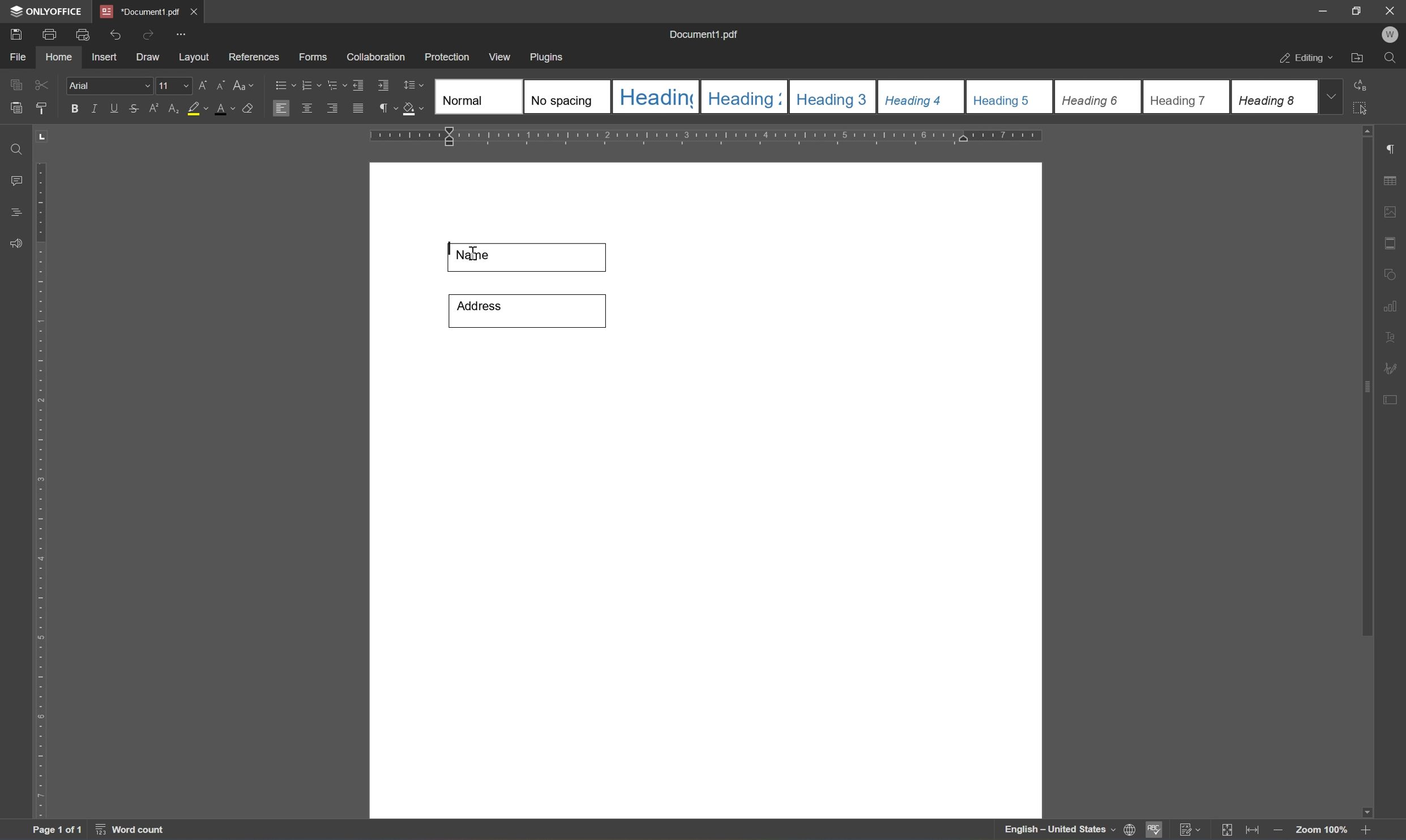 The height and width of the screenshot is (840, 1406). I want to click on insert, so click(110, 58).